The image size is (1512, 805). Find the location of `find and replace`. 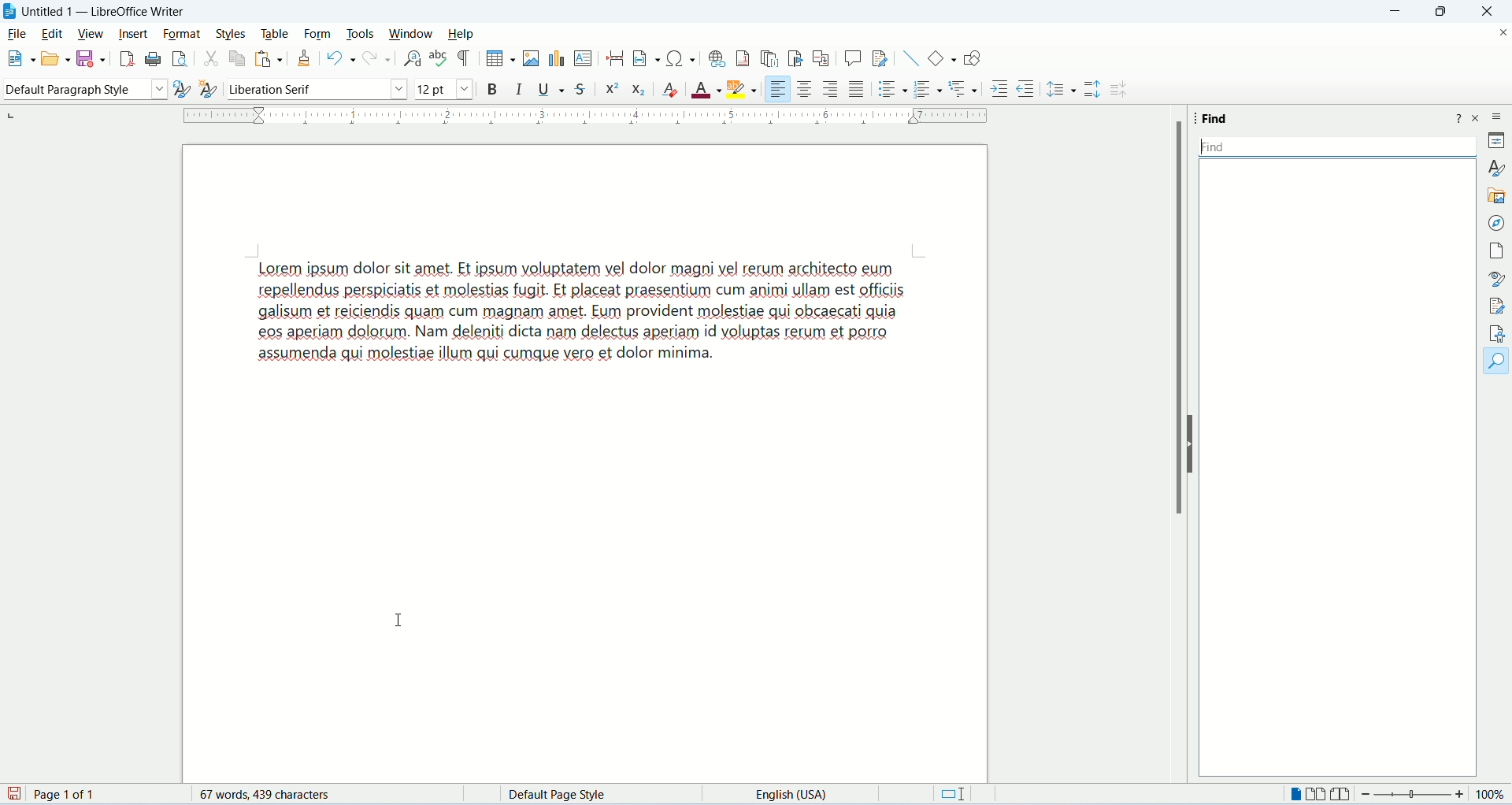

find and replace is located at coordinates (411, 59).